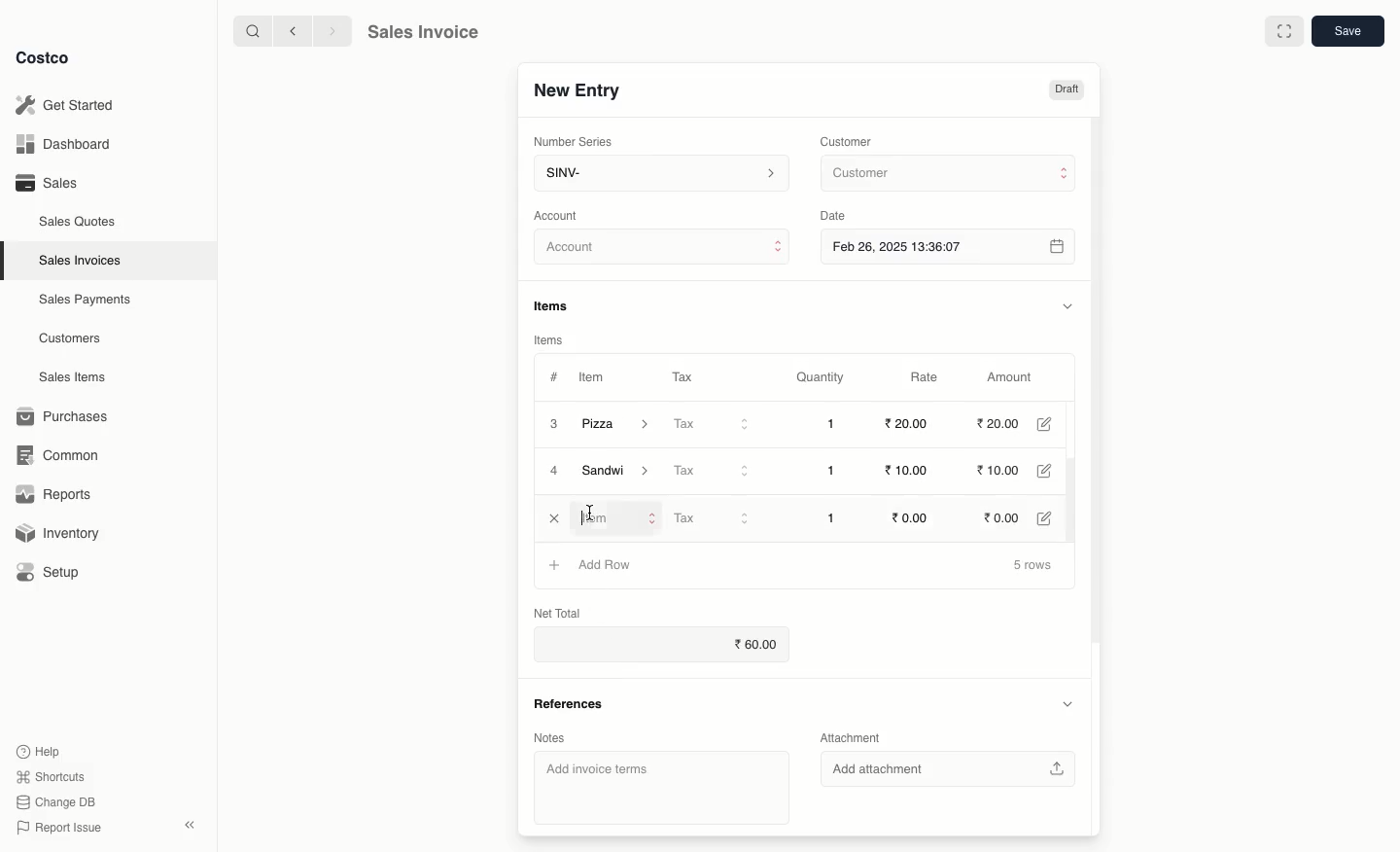 This screenshot has height=852, width=1400. Describe the element at coordinates (291, 31) in the screenshot. I see `Back` at that location.